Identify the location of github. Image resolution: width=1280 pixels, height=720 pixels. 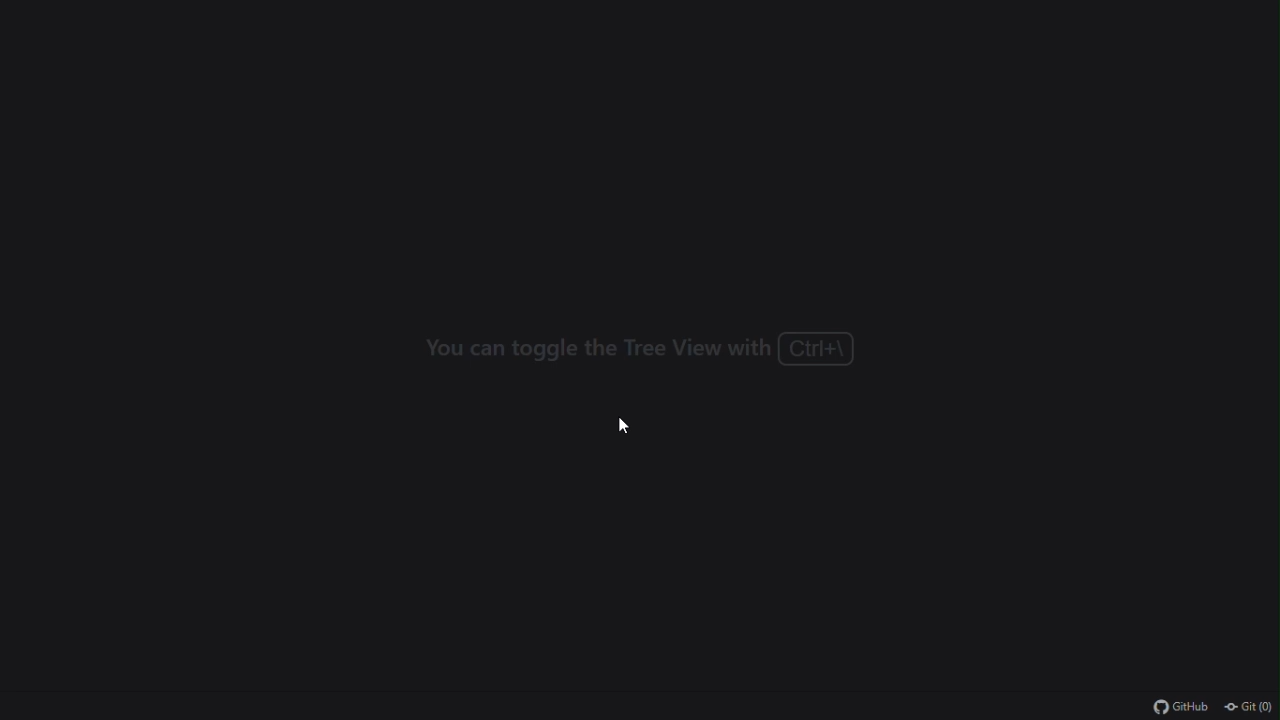
(1183, 707).